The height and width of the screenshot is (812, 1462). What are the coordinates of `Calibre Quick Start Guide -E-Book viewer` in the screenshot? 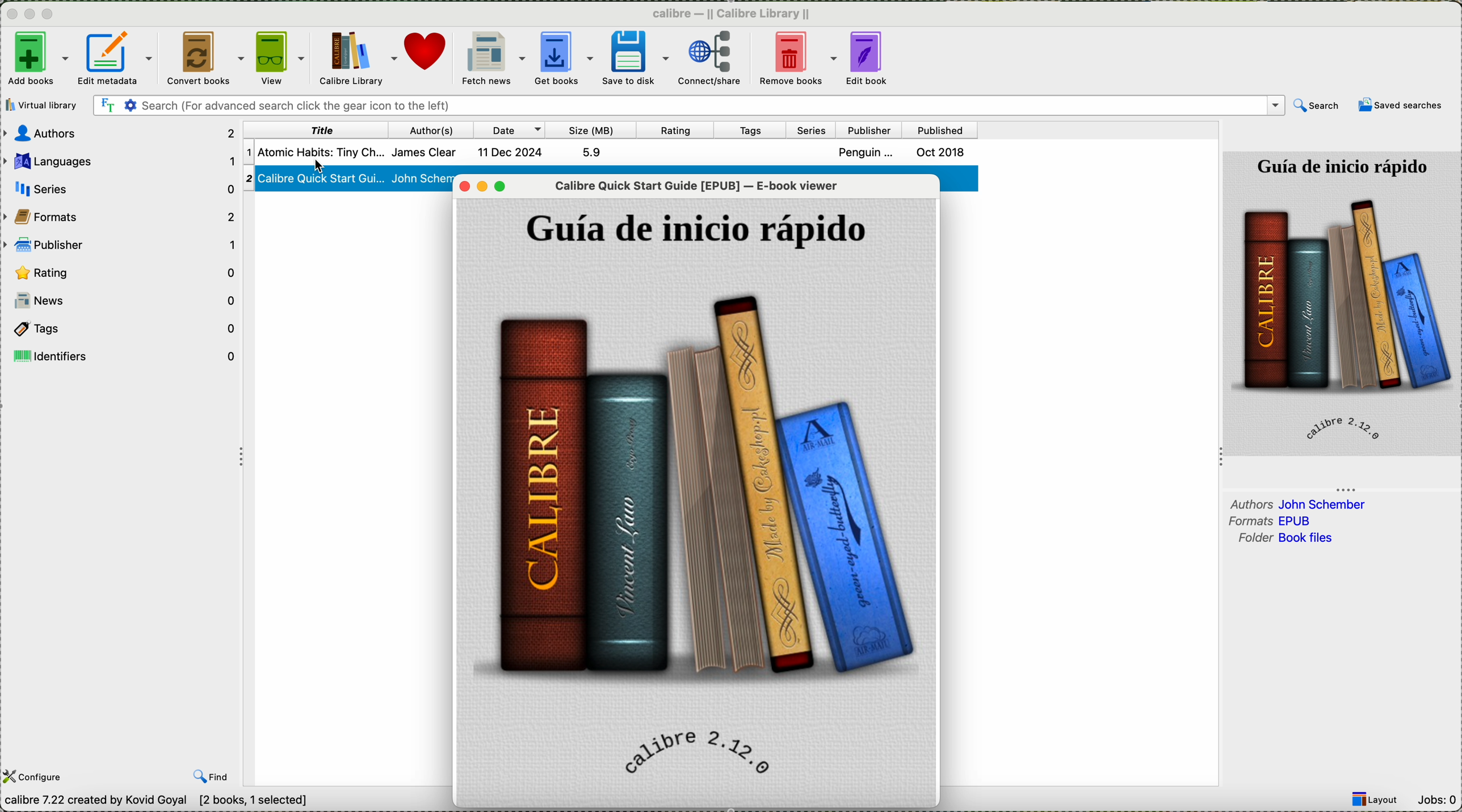 It's located at (702, 187).